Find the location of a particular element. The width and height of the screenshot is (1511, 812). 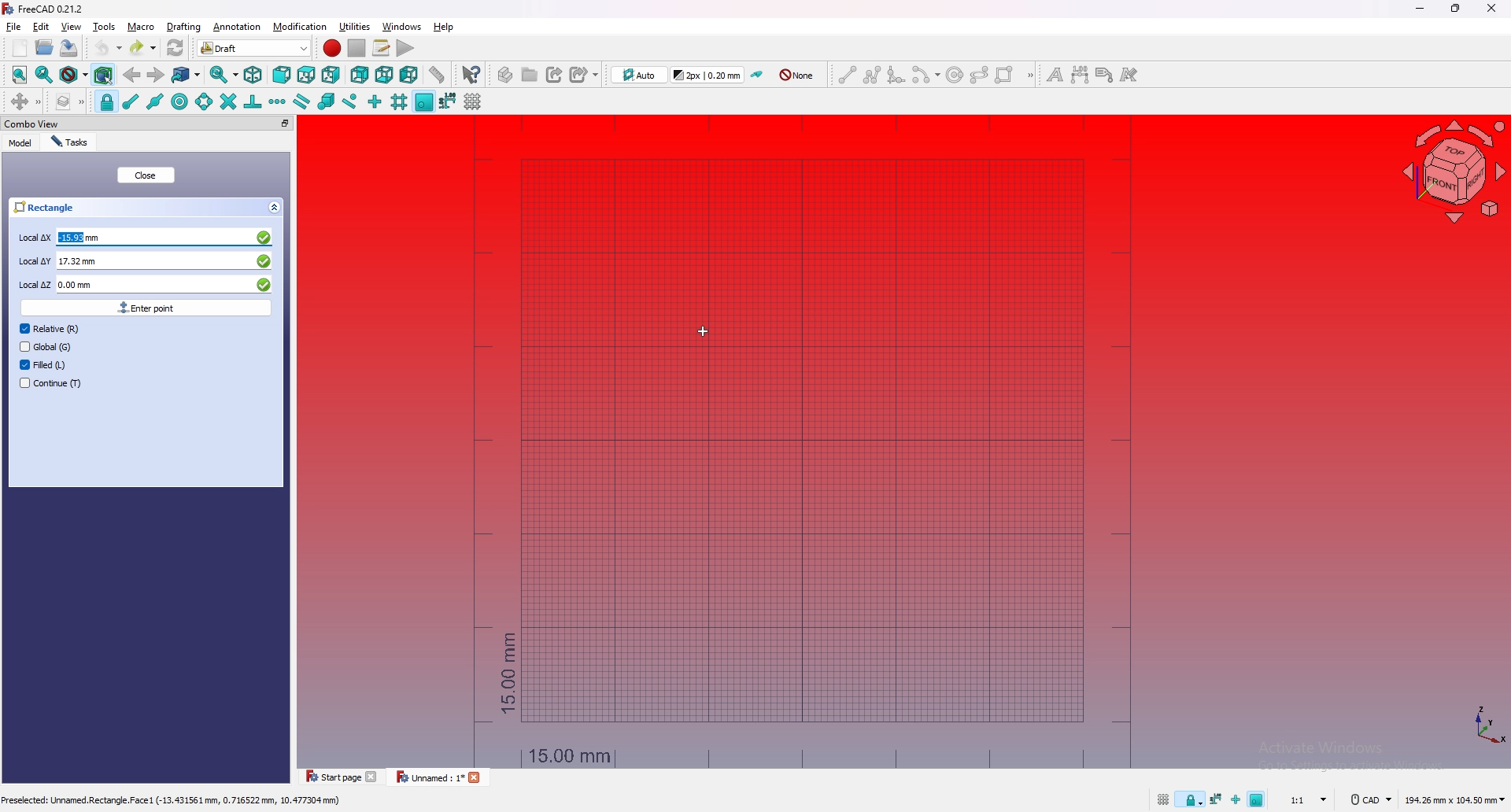

refresh is located at coordinates (175, 47).